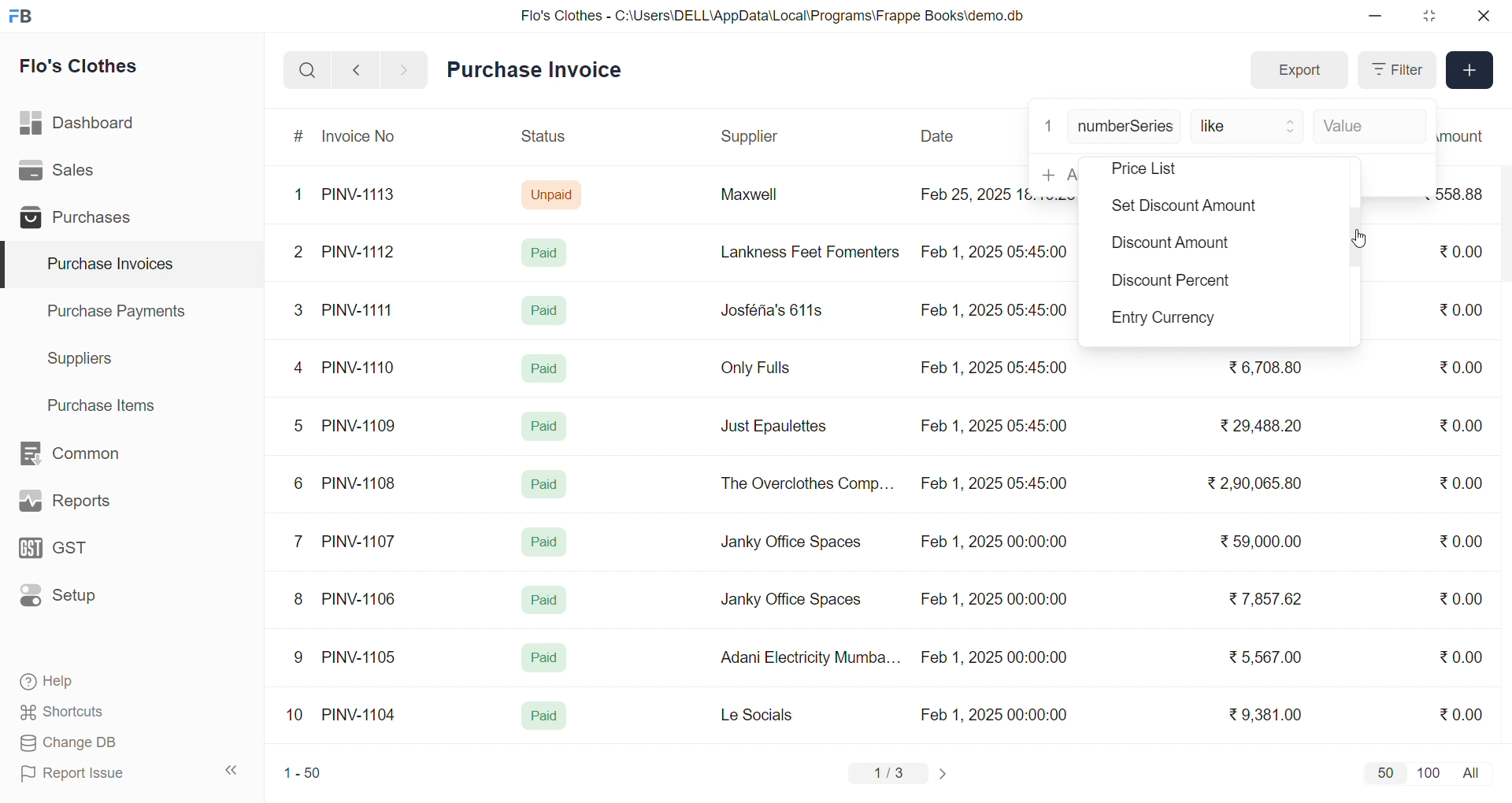 This screenshot has height=803, width=1512. What do you see at coordinates (1466, 194) in the screenshot?
I see `₹558.88` at bounding box center [1466, 194].